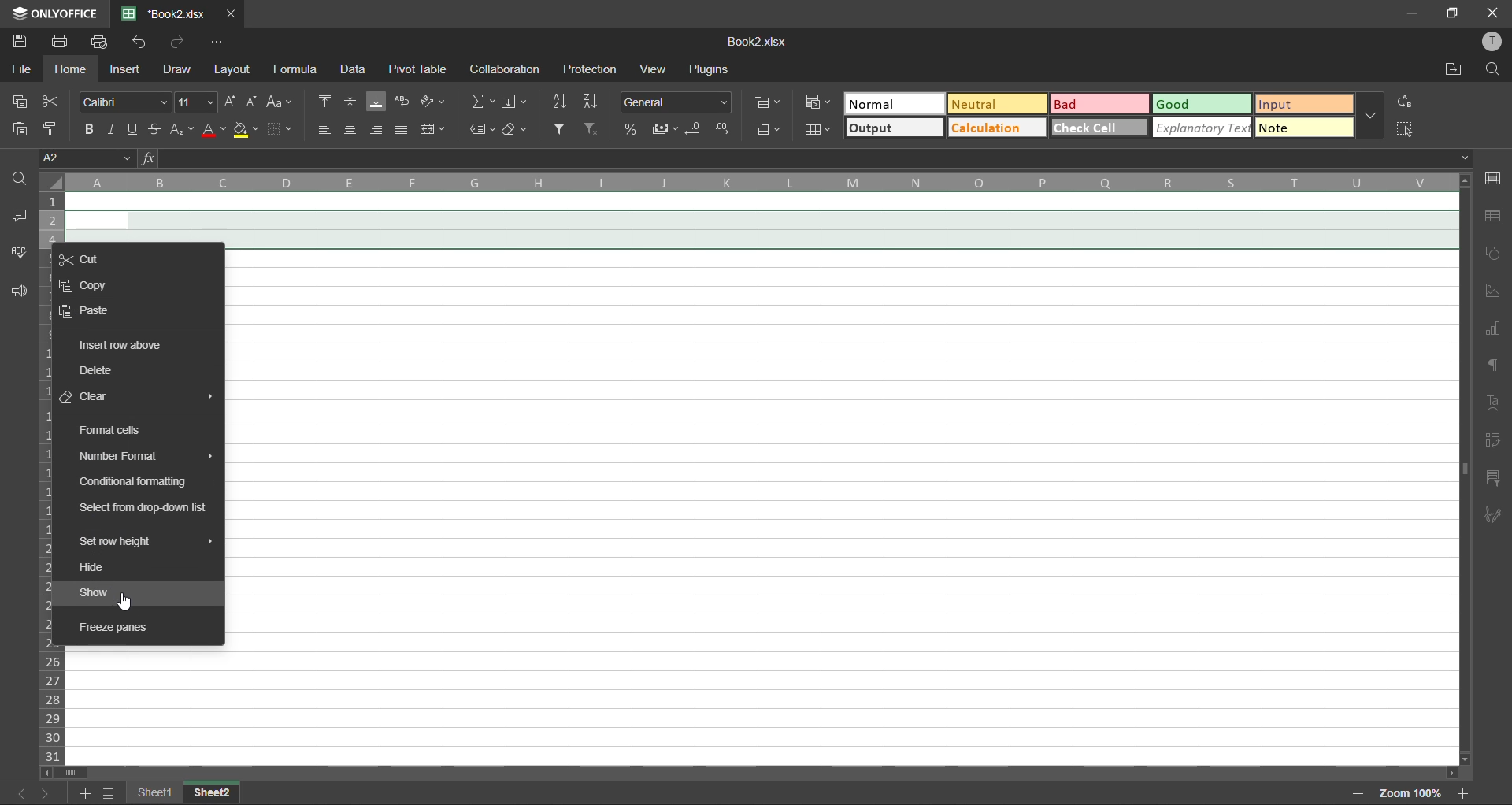  What do you see at coordinates (17, 792) in the screenshot?
I see `previous` at bounding box center [17, 792].